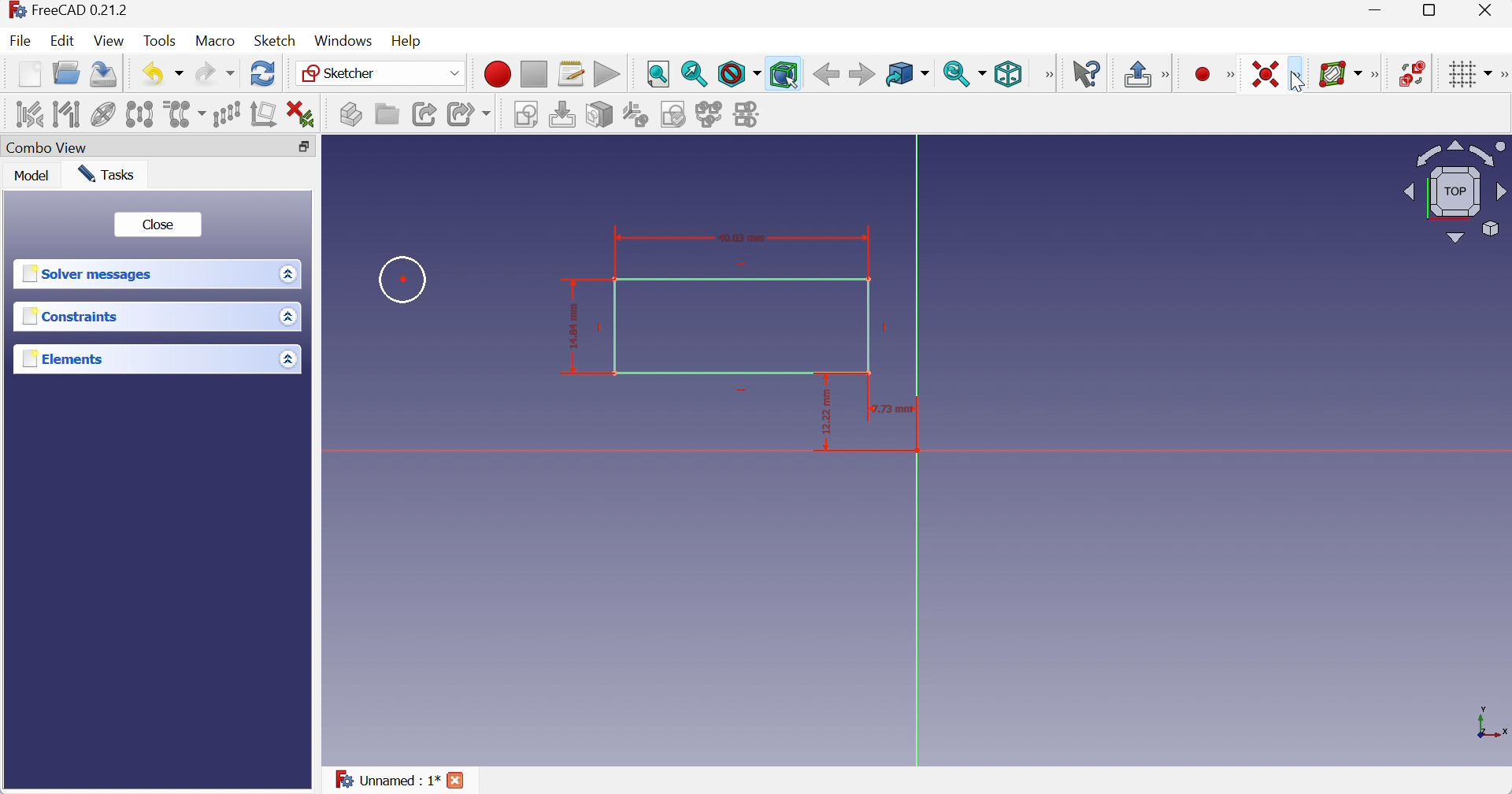 This screenshot has width=1512, height=794. What do you see at coordinates (711, 114) in the screenshot?
I see `Merge sketches` at bounding box center [711, 114].